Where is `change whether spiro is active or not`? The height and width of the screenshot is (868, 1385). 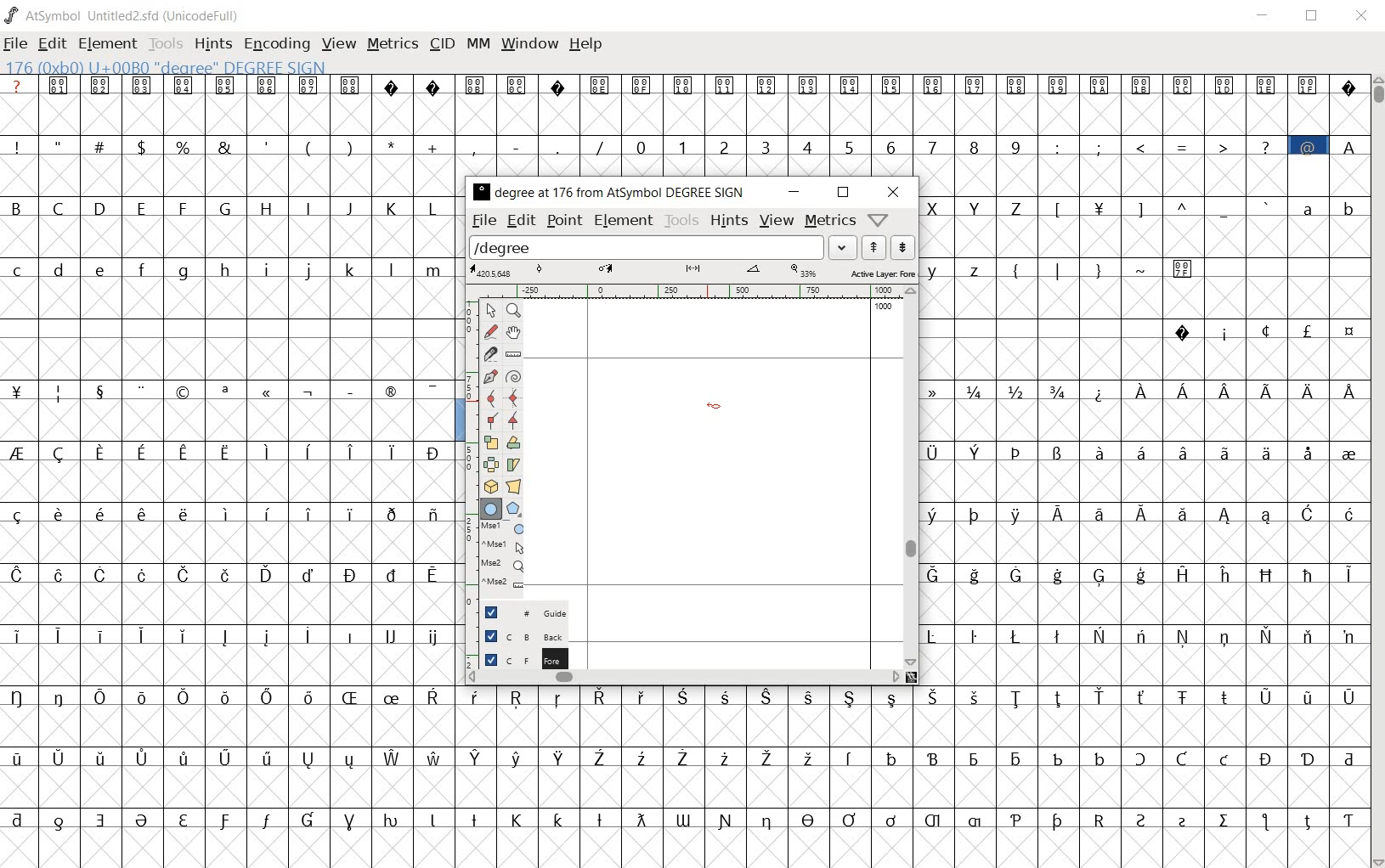 change whether spiro is active or not is located at coordinates (513, 375).